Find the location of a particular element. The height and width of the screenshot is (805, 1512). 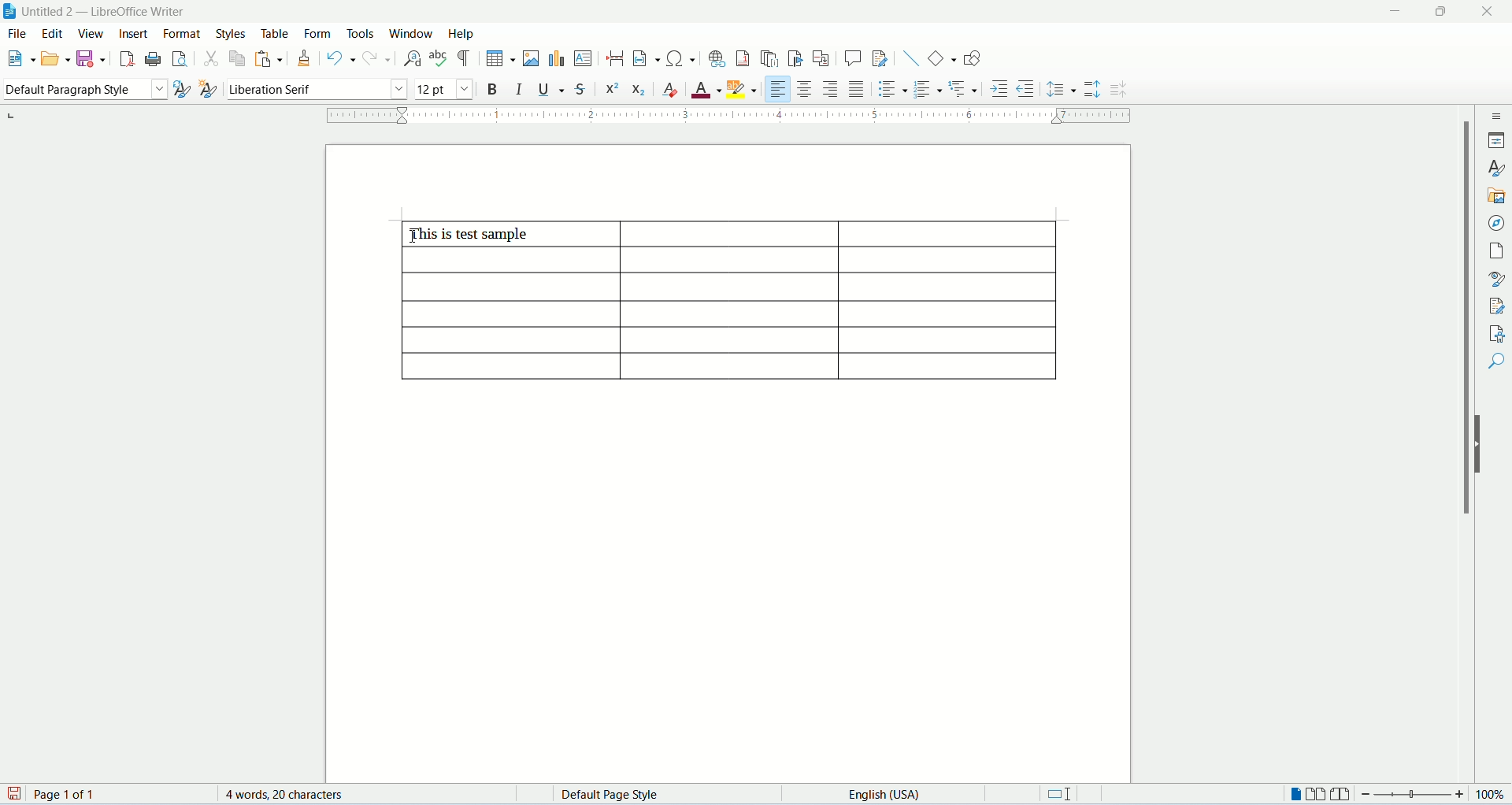

clone formatting is located at coordinates (306, 57).